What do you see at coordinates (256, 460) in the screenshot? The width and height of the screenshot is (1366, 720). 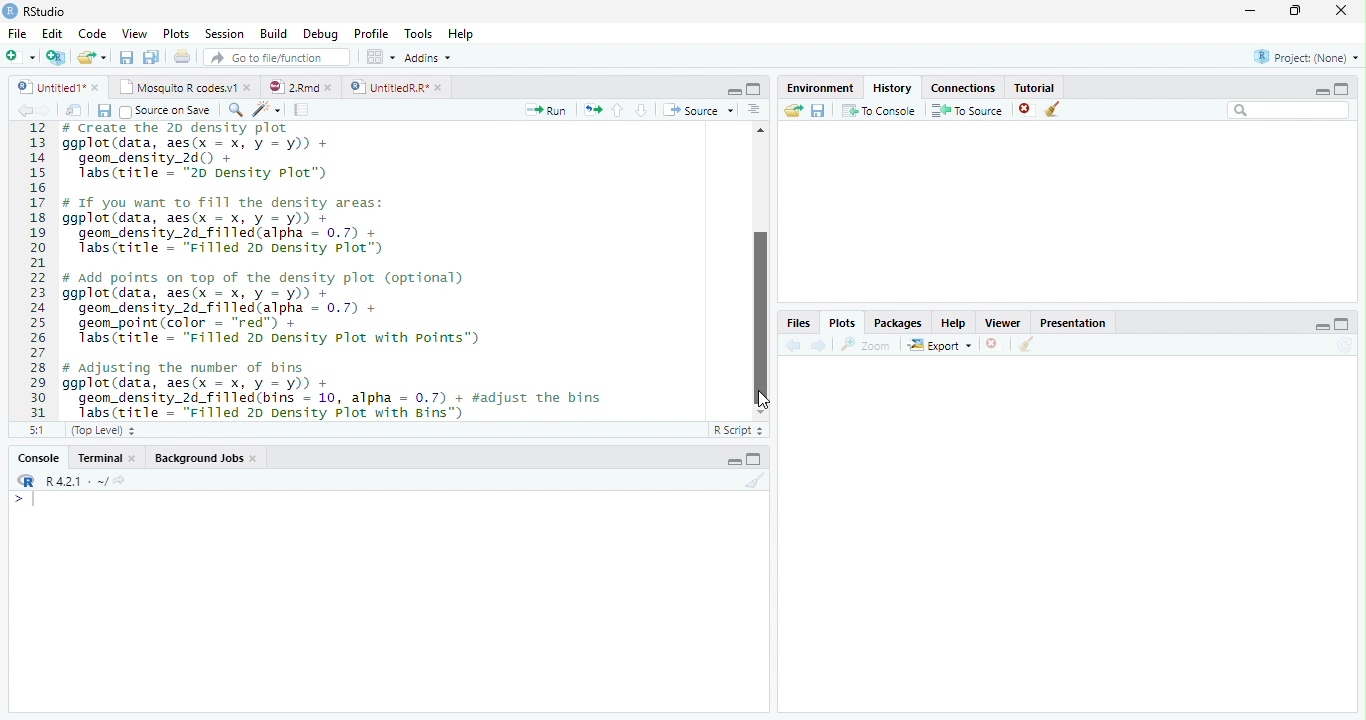 I see `close` at bounding box center [256, 460].